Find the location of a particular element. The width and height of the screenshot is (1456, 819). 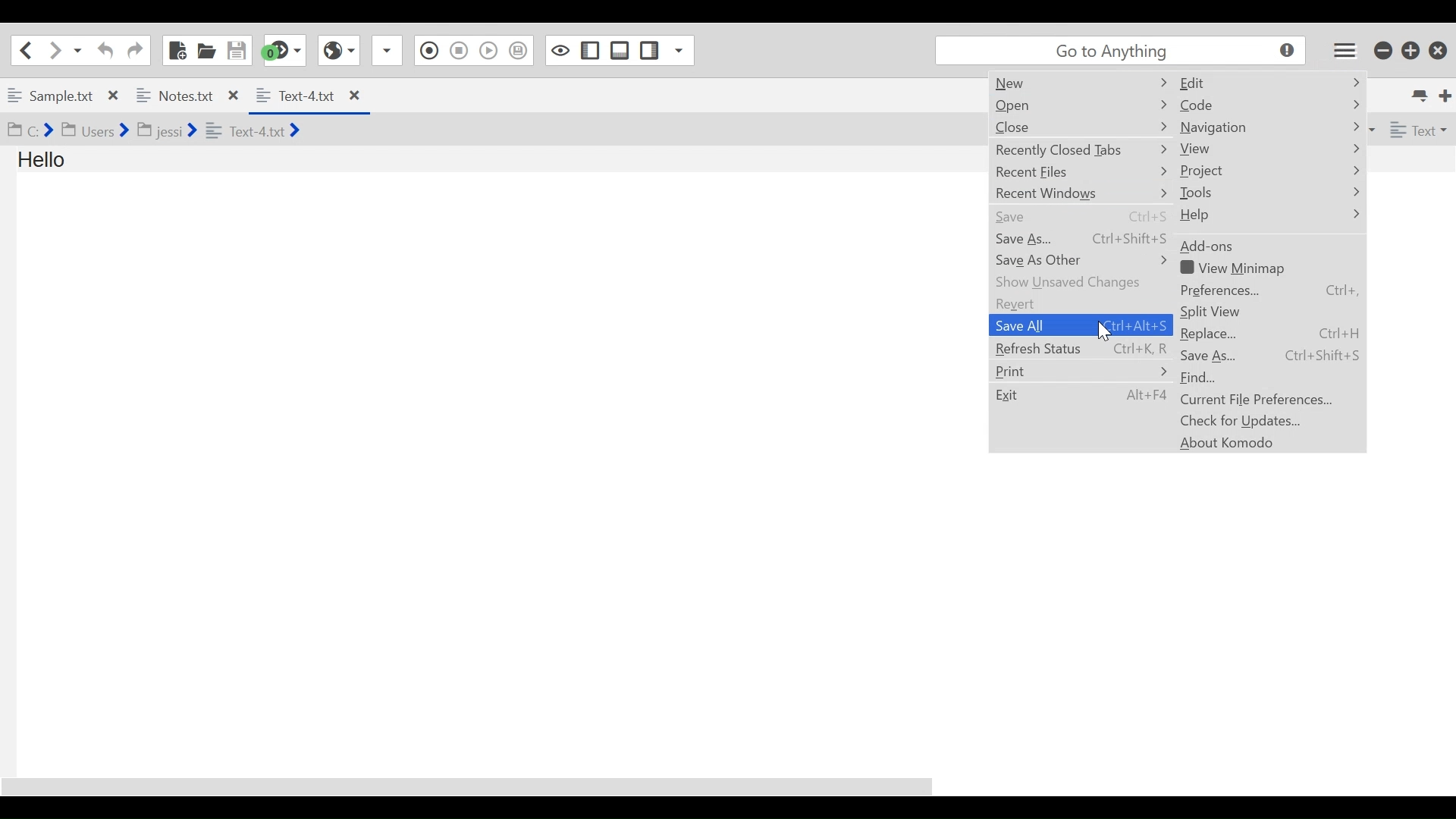

Show Specific Sidebar is located at coordinates (677, 50).